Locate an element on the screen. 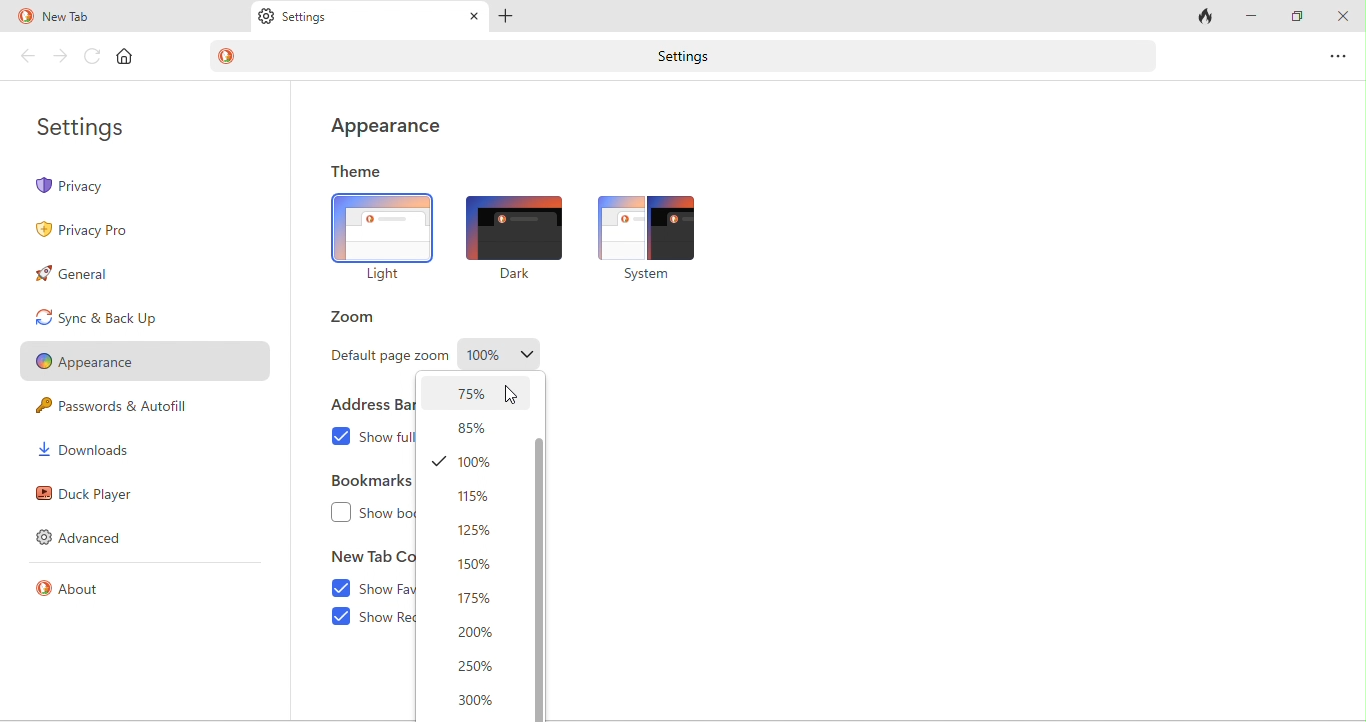 The image size is (1366, 722). 150% is located at coordinates (472, 565).